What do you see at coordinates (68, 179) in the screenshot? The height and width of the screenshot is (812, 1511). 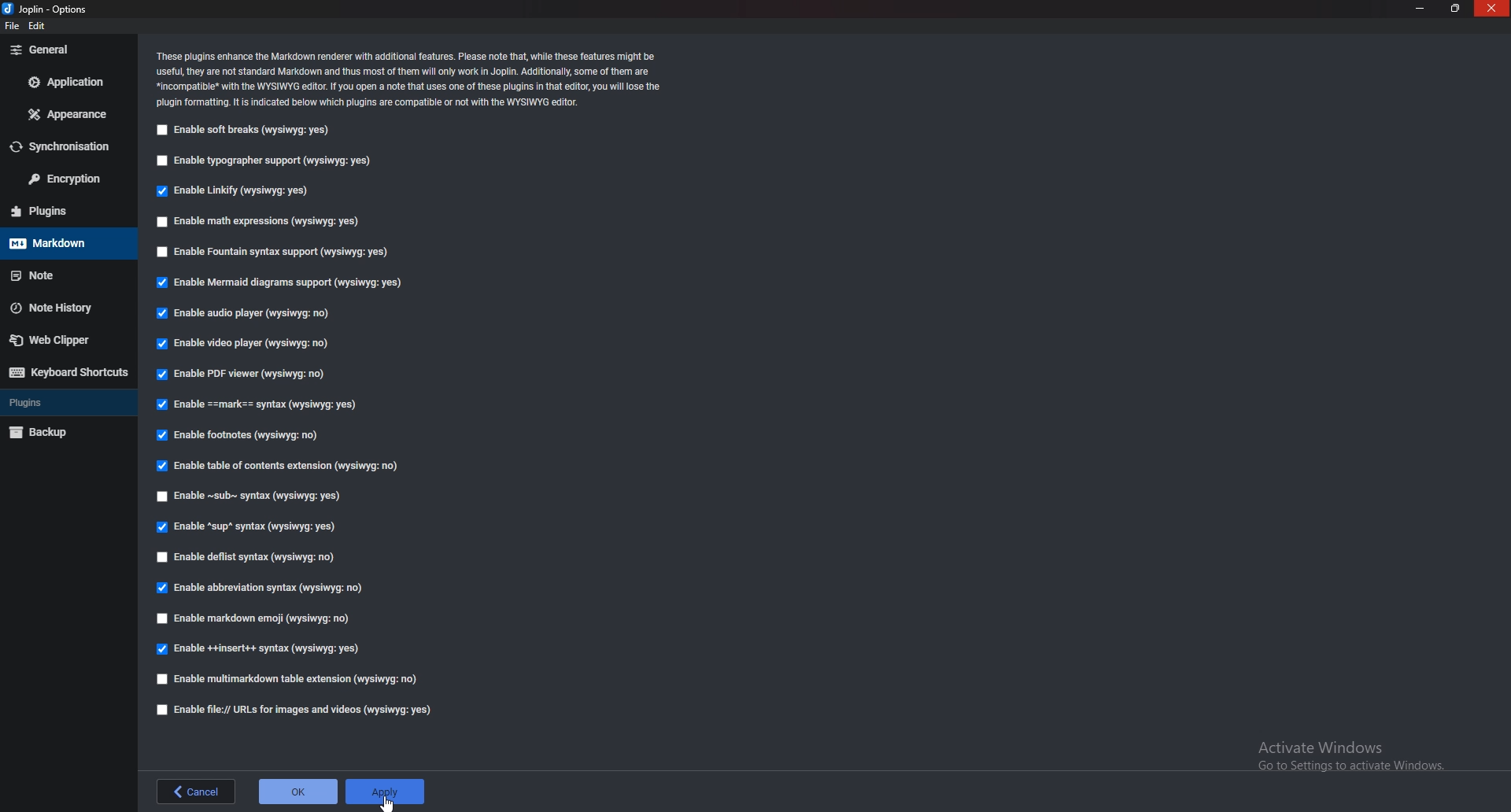 I see `Encryption` at bounding box center [68, 179].